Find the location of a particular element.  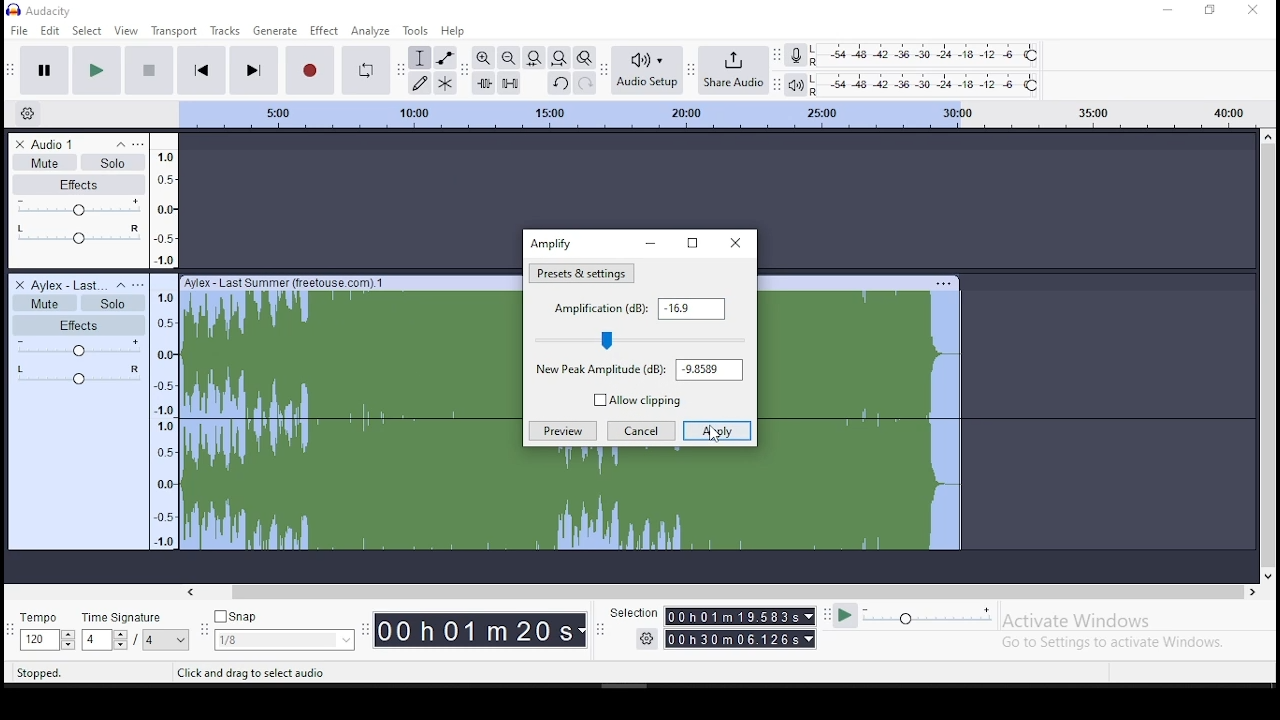

analyze is located at coordinates (370, 31).